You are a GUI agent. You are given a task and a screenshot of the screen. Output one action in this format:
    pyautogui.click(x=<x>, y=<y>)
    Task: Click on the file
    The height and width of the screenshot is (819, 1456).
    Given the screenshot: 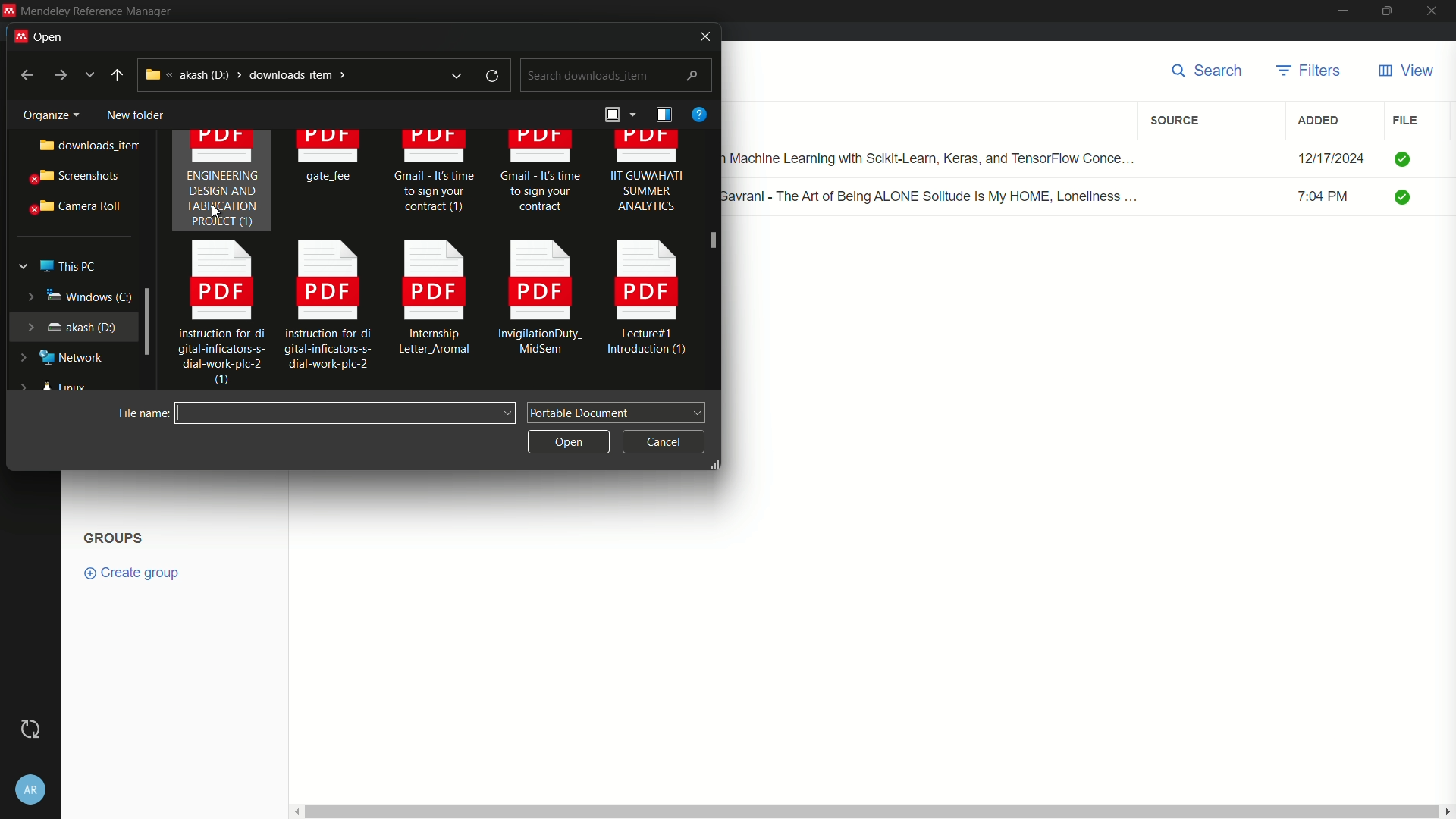 What is the action you would take?
    pyautogui.click(x=1405, y=120)
    